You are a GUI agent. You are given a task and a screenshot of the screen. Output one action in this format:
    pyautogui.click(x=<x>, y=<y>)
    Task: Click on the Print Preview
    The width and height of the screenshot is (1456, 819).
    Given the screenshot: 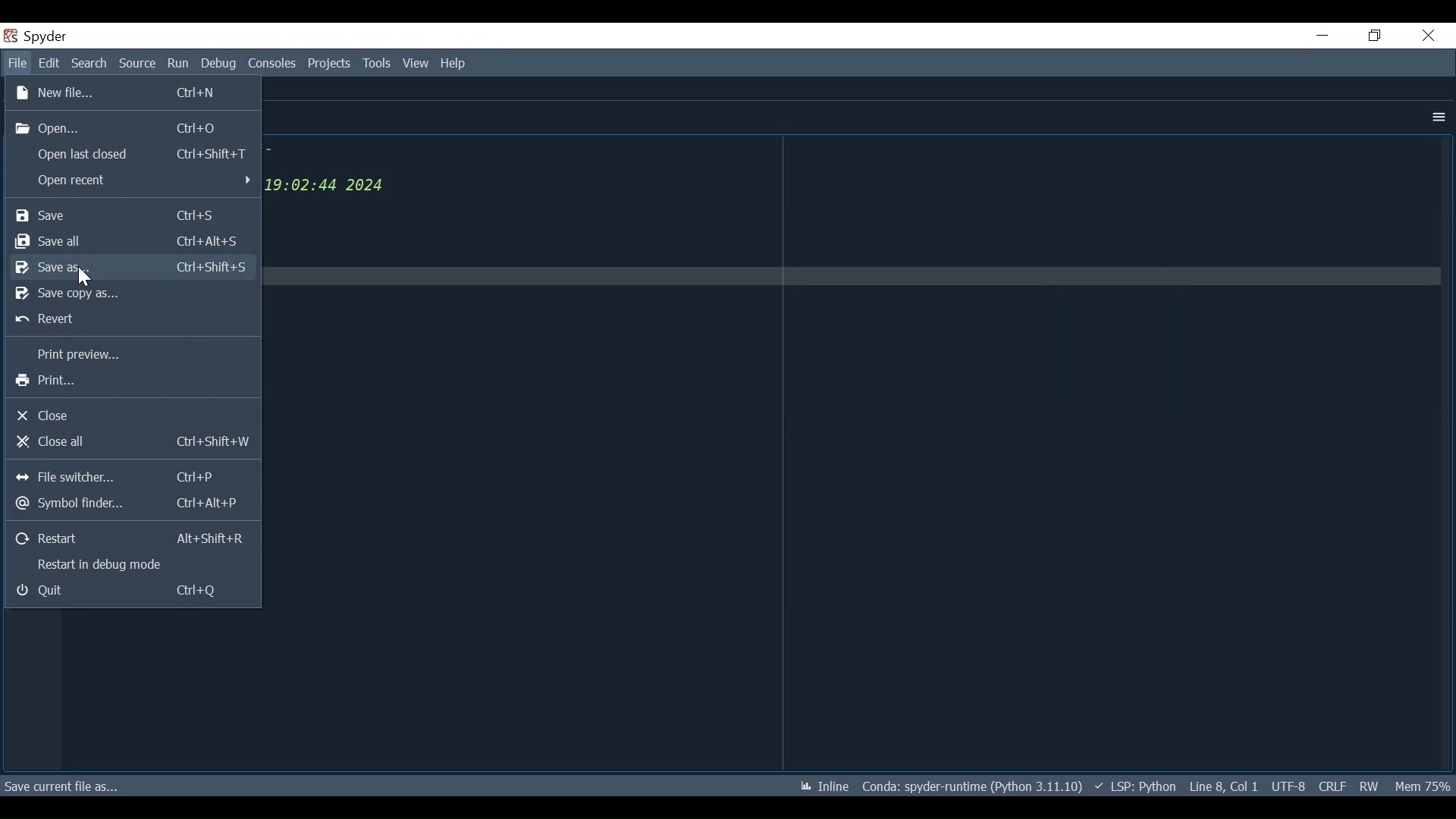 What is the action you would take?
    pyautogui.click(x=129, y=356)
    